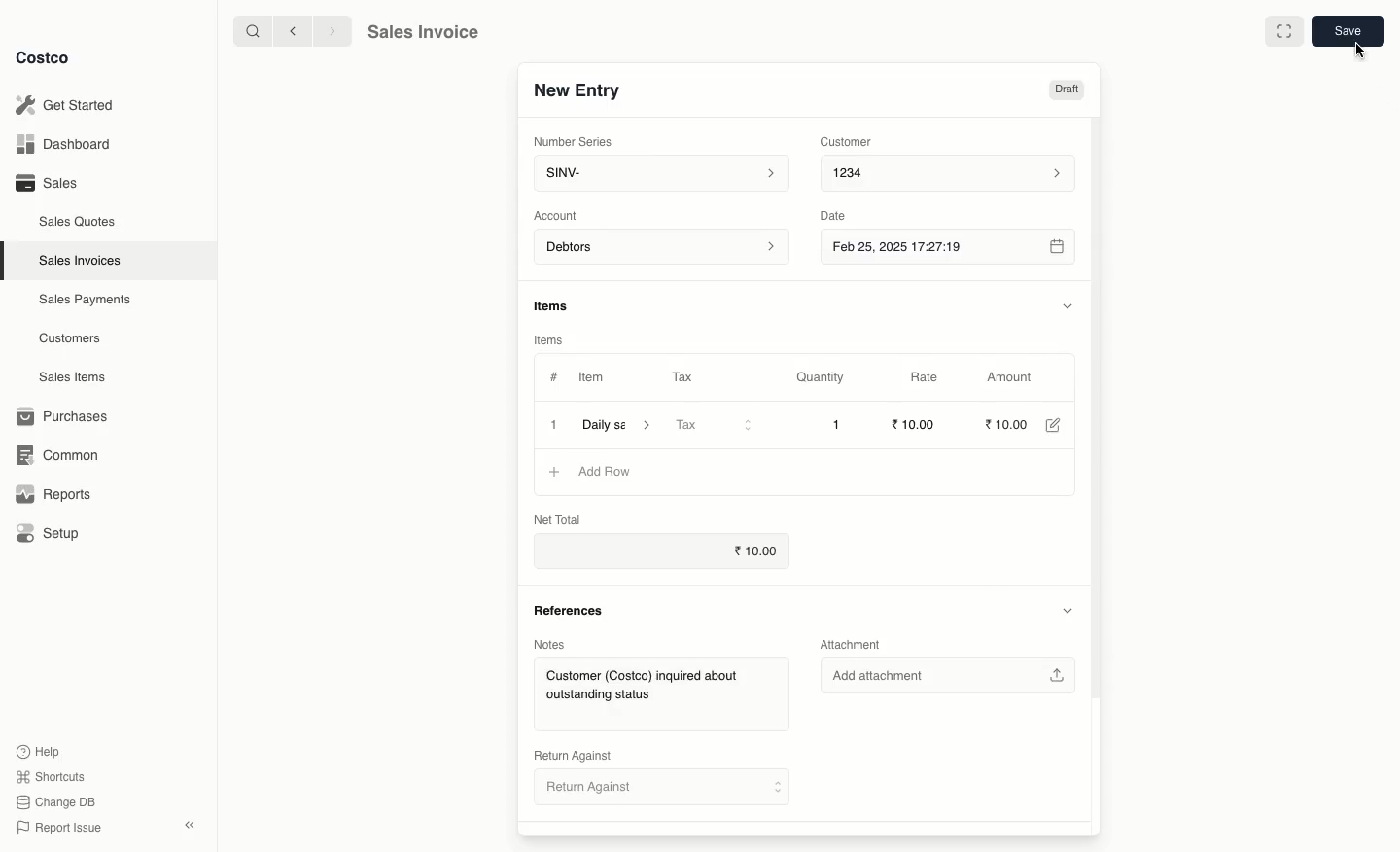 The image size is (1400, 852). I want to click on Feb 25, 2025 17:27:19, so click(951, 250).